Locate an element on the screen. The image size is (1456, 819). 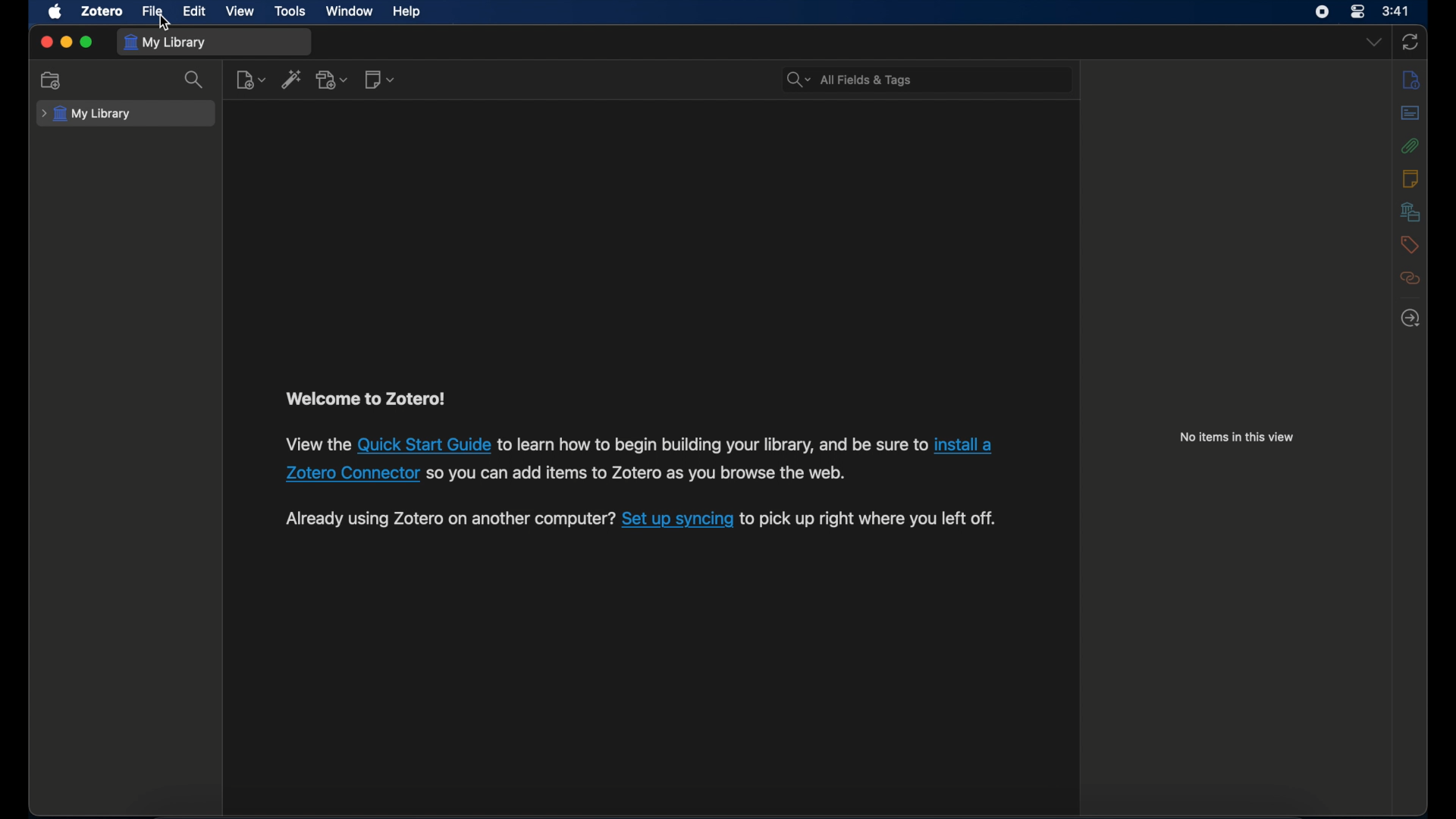
notes is located at coordinates (1410, 178).